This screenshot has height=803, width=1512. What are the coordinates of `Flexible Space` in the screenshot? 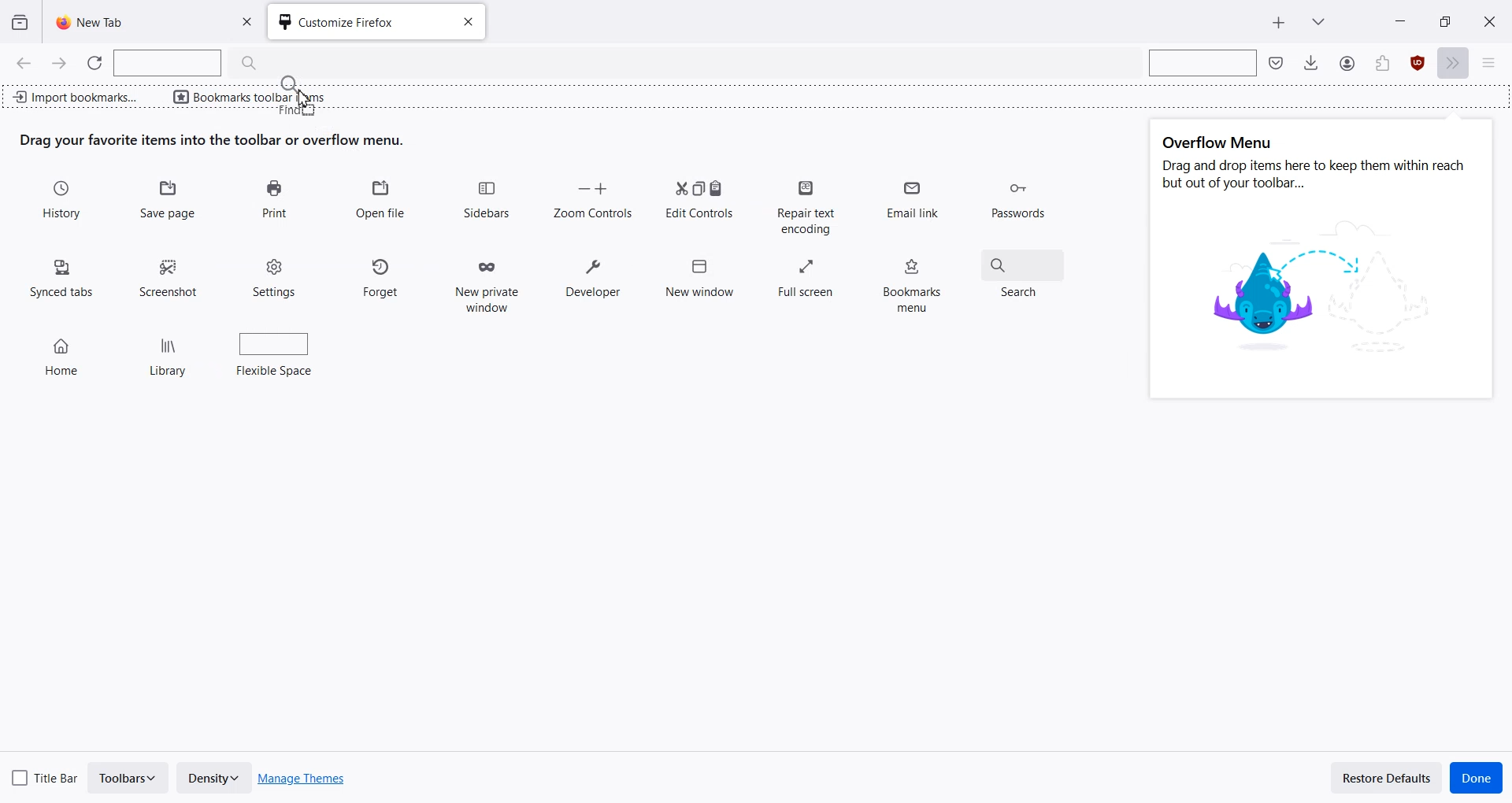 It's located at (276, 353).